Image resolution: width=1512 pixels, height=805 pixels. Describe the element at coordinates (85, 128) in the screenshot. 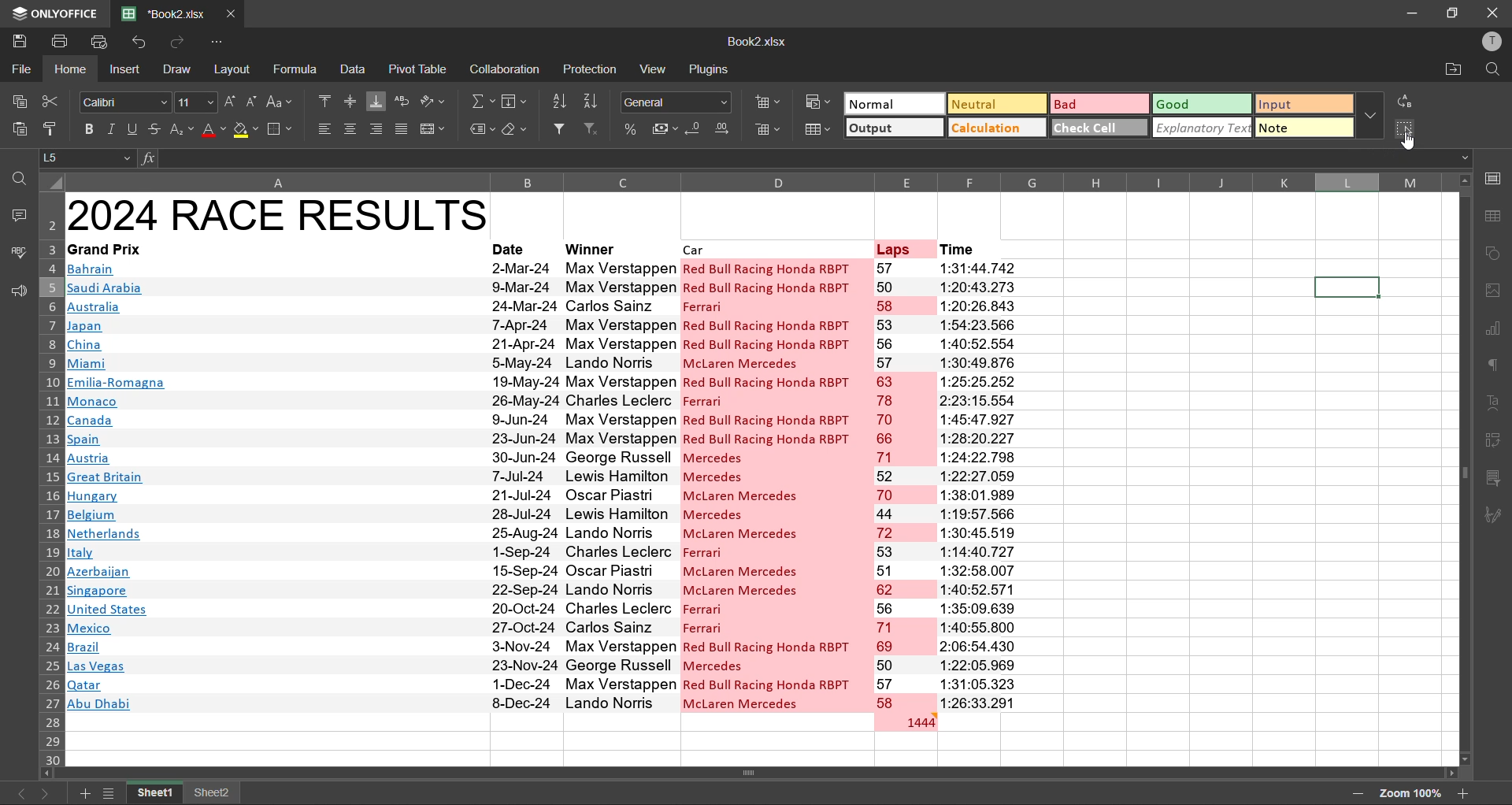

I see `bold` at that location.